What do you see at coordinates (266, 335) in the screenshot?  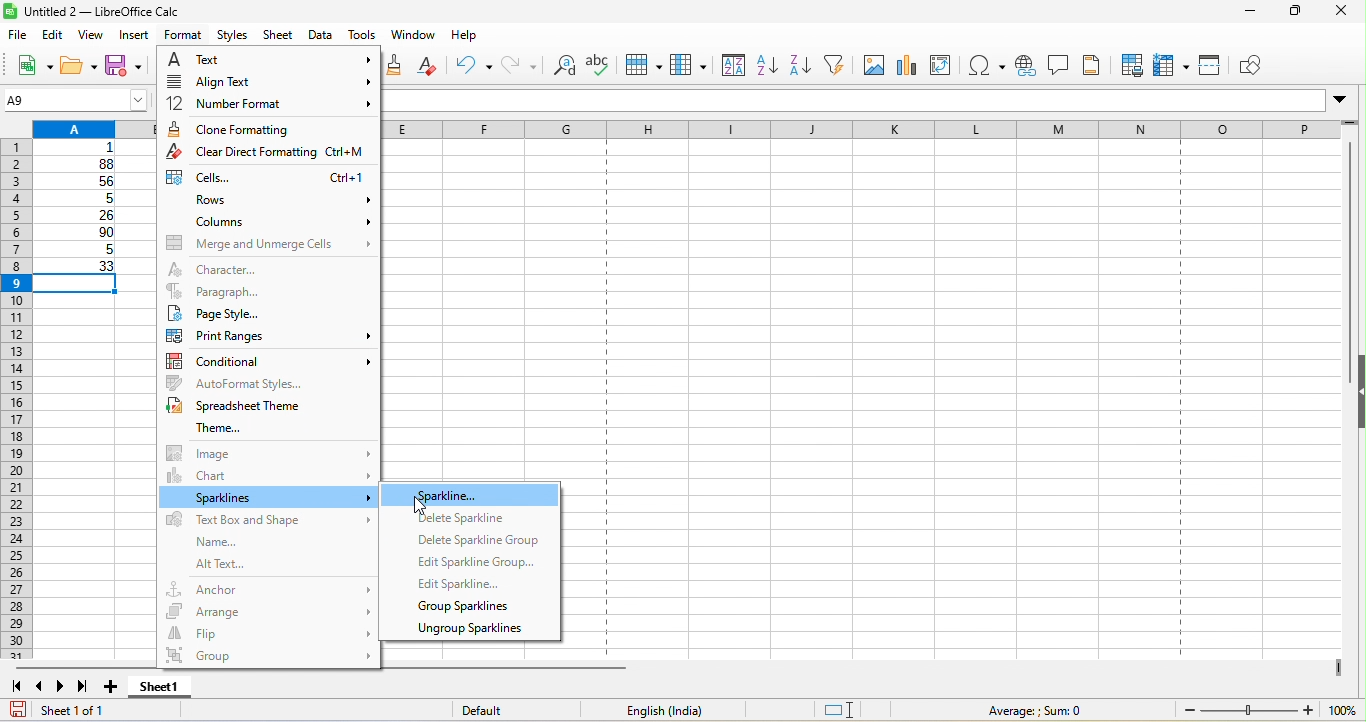 I see `print range` at bounding box center [266, 335].